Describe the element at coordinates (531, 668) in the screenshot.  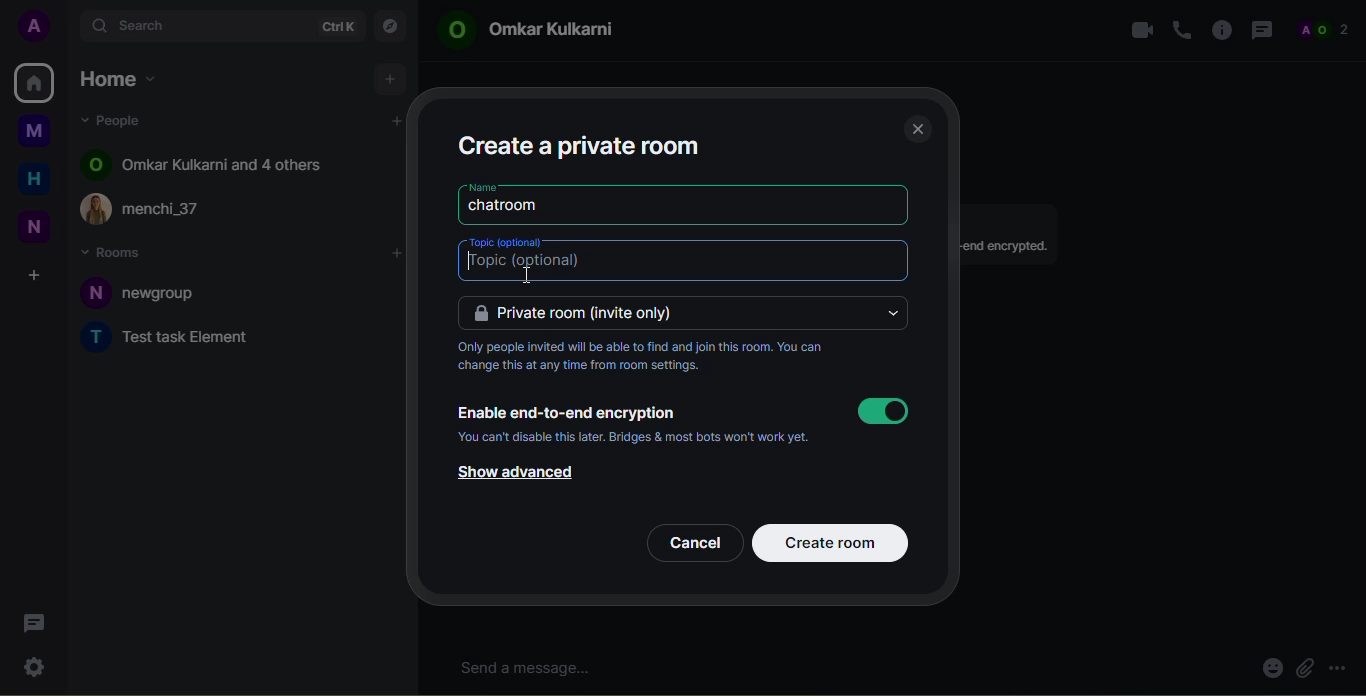
I see `send message` at that location.